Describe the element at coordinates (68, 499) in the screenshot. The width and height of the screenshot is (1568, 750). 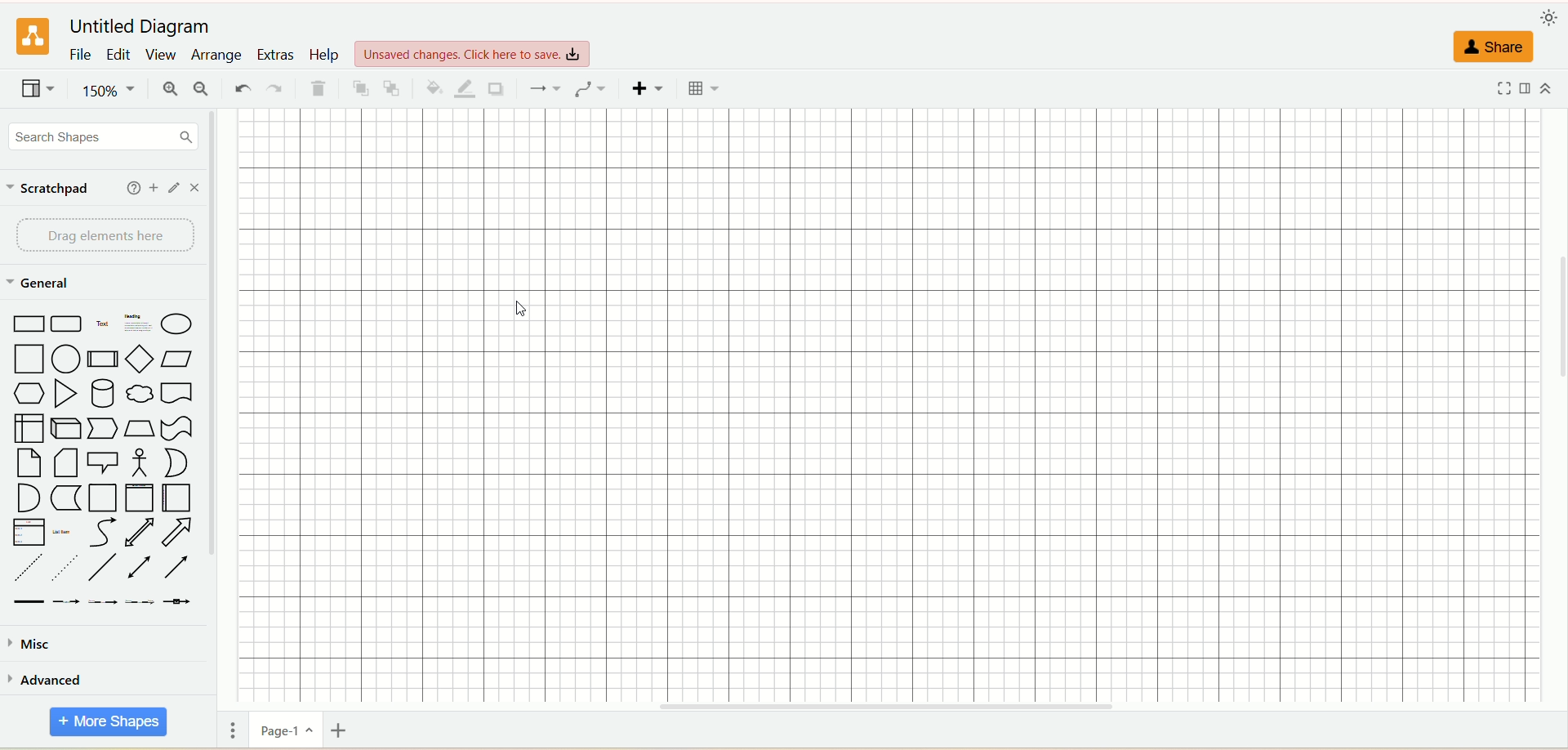
I see `data storage` at that location.